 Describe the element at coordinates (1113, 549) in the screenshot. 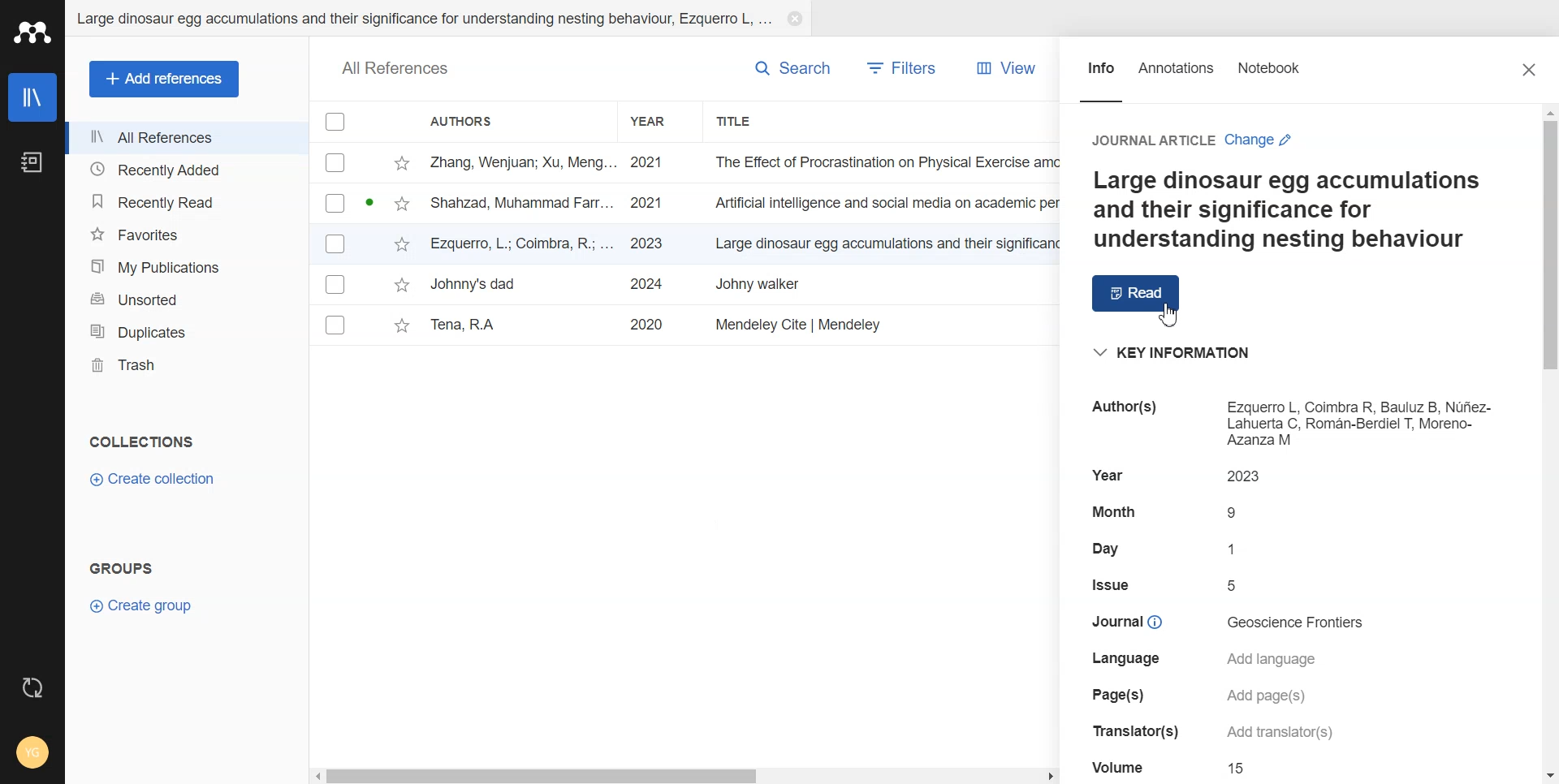

I see `text` at that location.